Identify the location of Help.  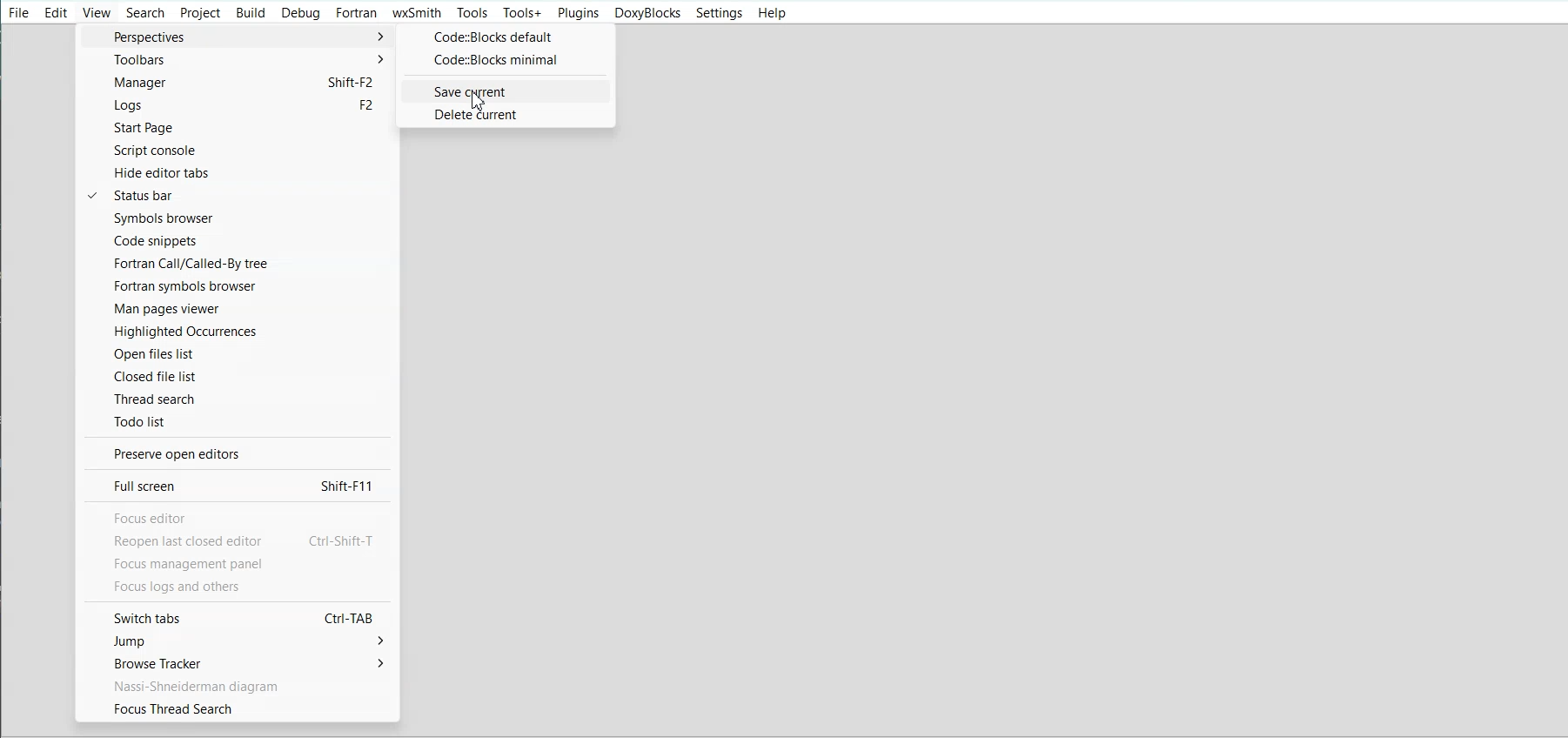
(770, 14).